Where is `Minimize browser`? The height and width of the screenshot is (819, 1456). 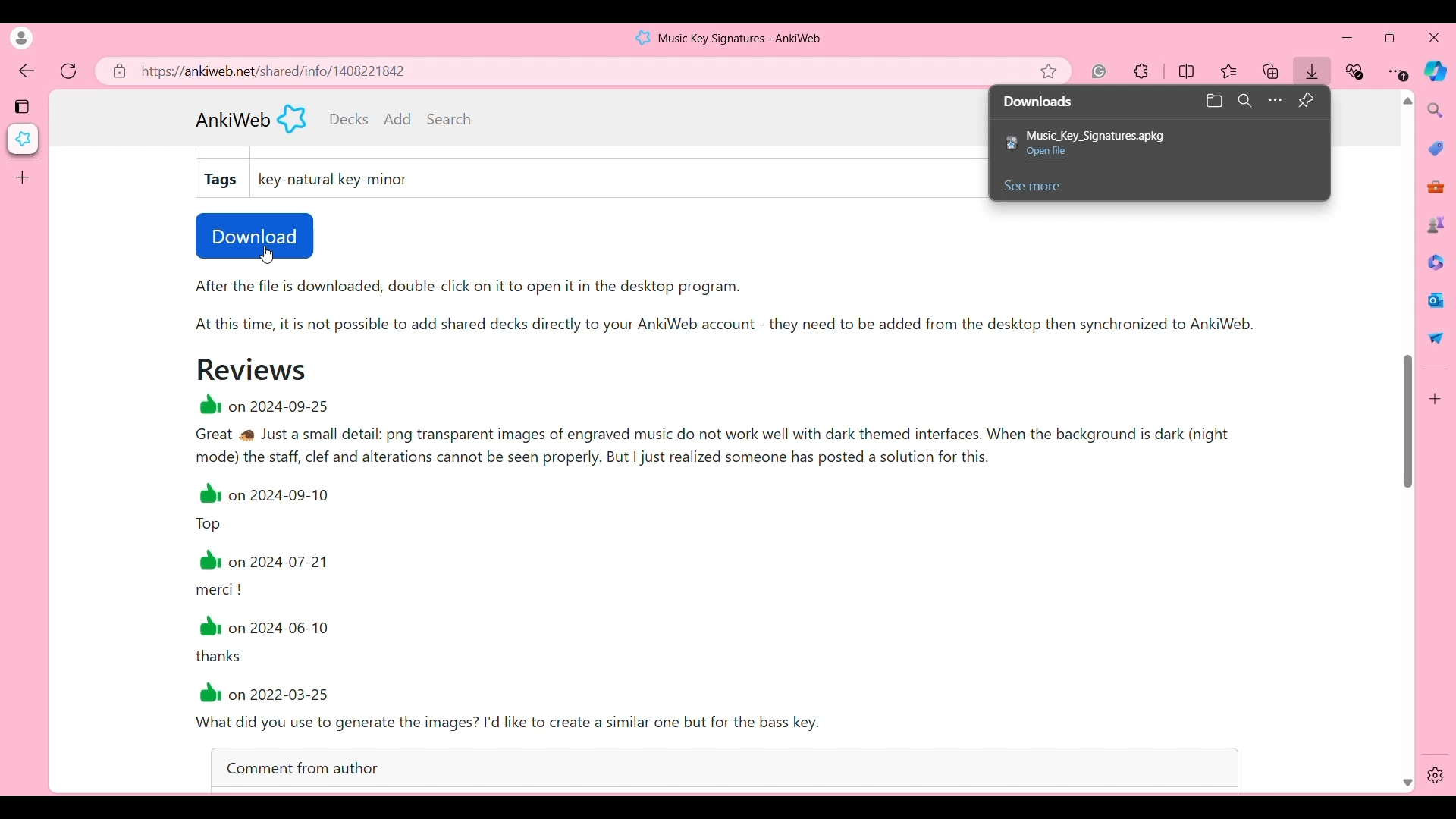
Minimize browser is located at coordinates (1347, 37).